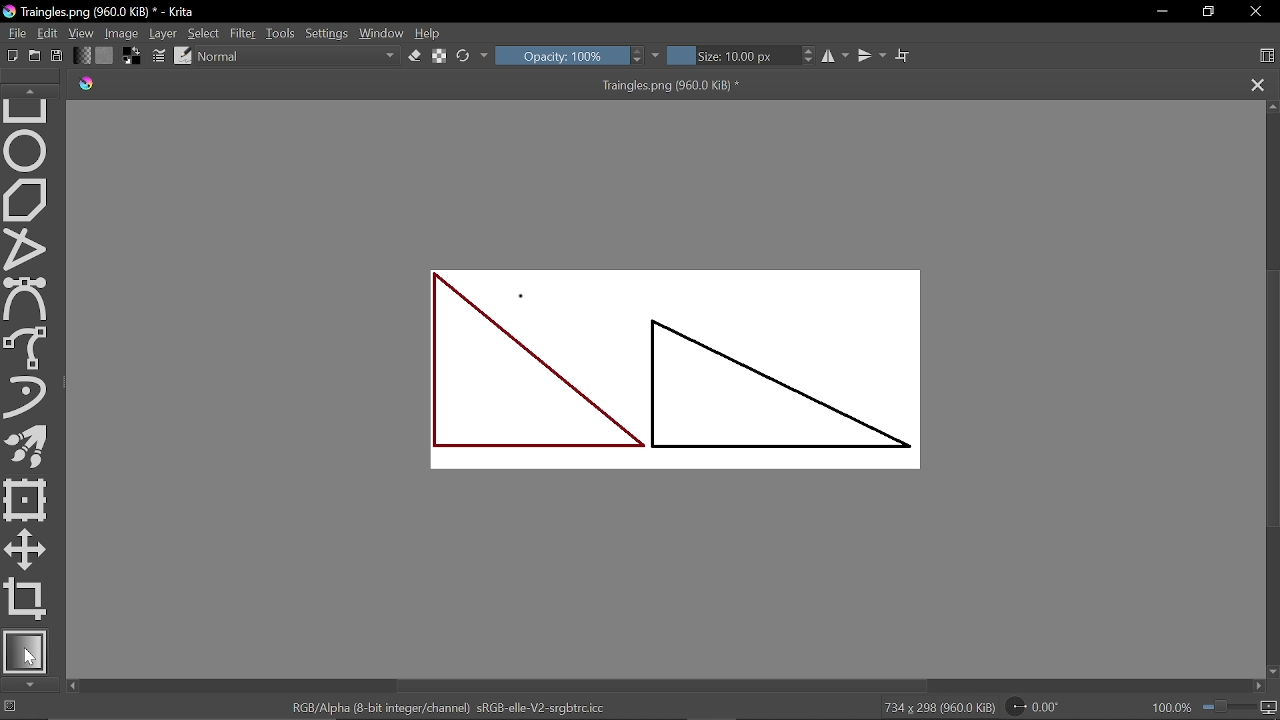 The image size is (1280, 720). I want to click on Move down, so click(1271, 669).